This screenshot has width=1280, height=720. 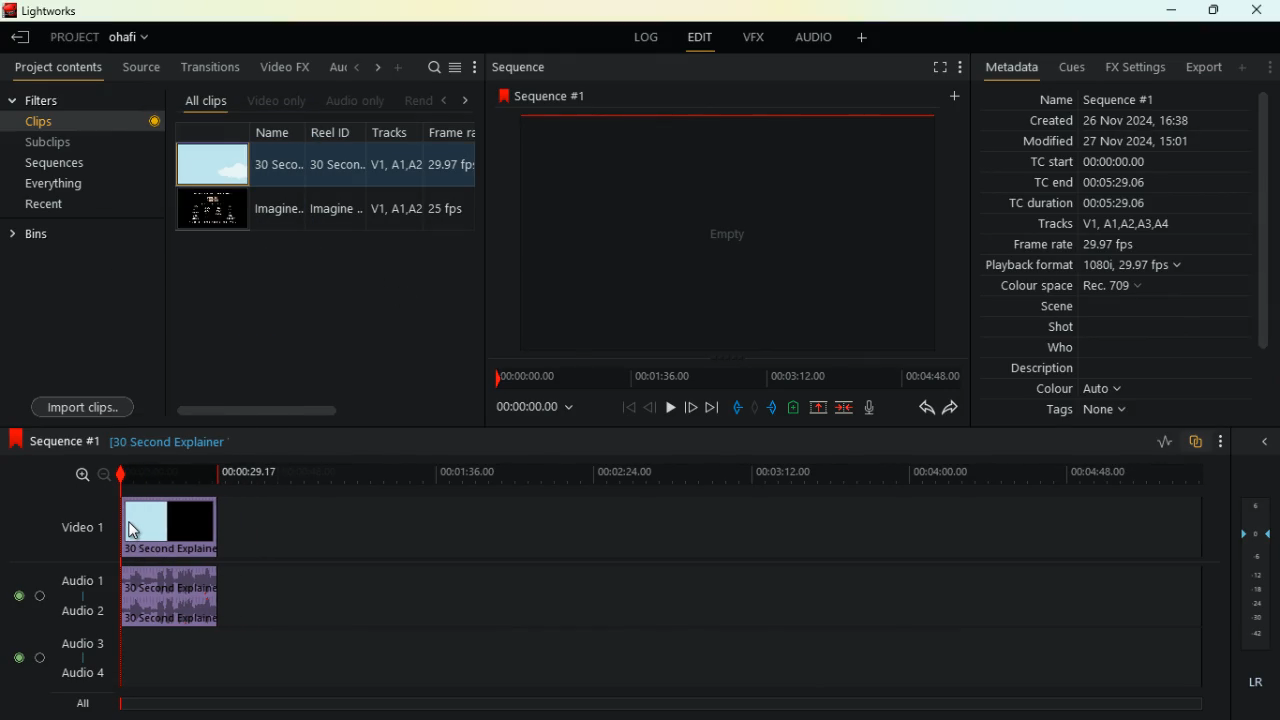 What do you see at coordinates (650, 704) in the screenshot?
I see `timeline` at bounding box center [650, 704].